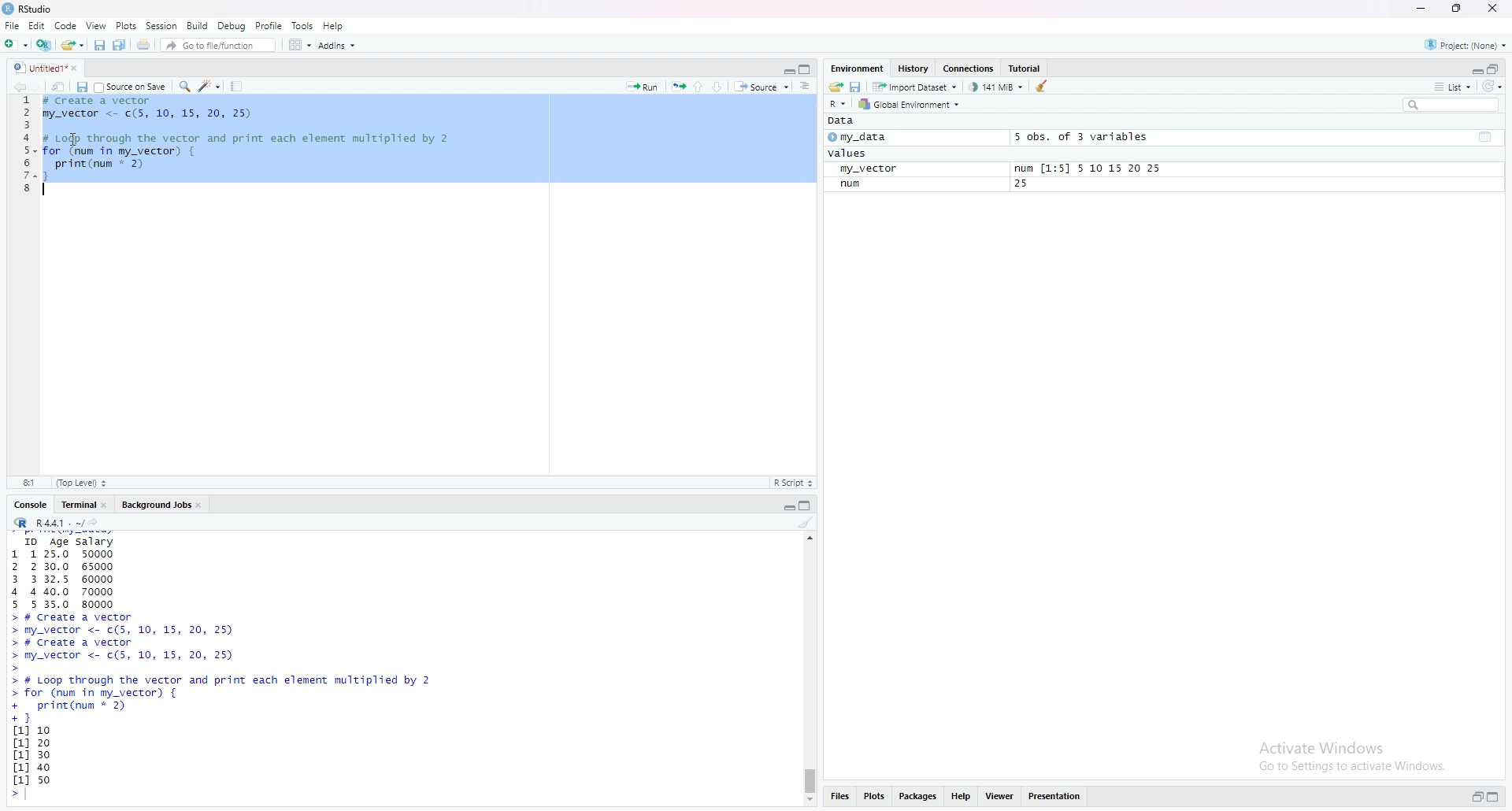 The width and height of the screenshot is (1512, 811). What do you see at coordinates (795, 483) in the screenshot?
I see `R Script ` at bounding box center [795, 483].